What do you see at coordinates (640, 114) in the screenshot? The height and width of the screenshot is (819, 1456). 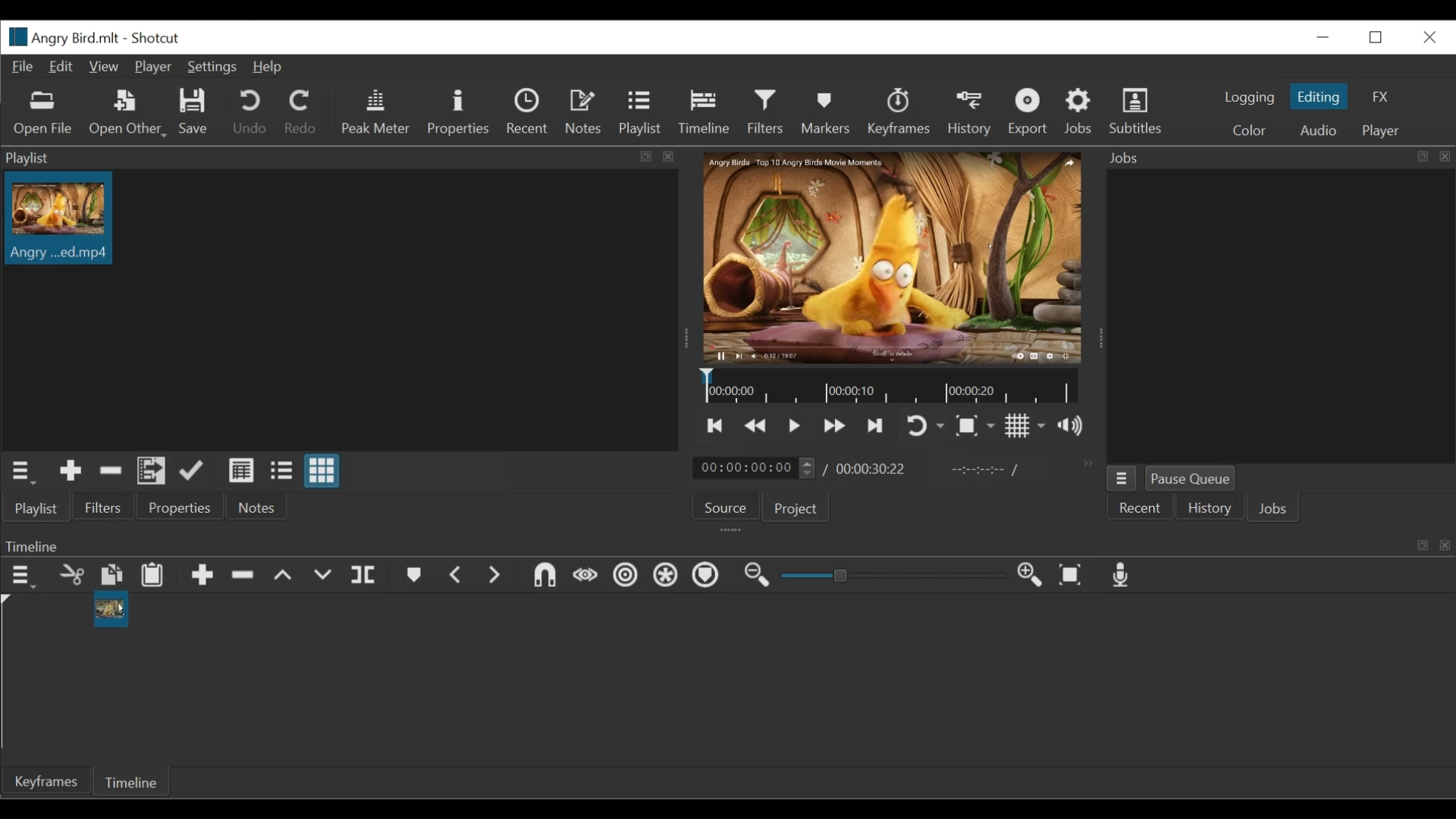 I see `Playlist` at bounding box center [640, 114].